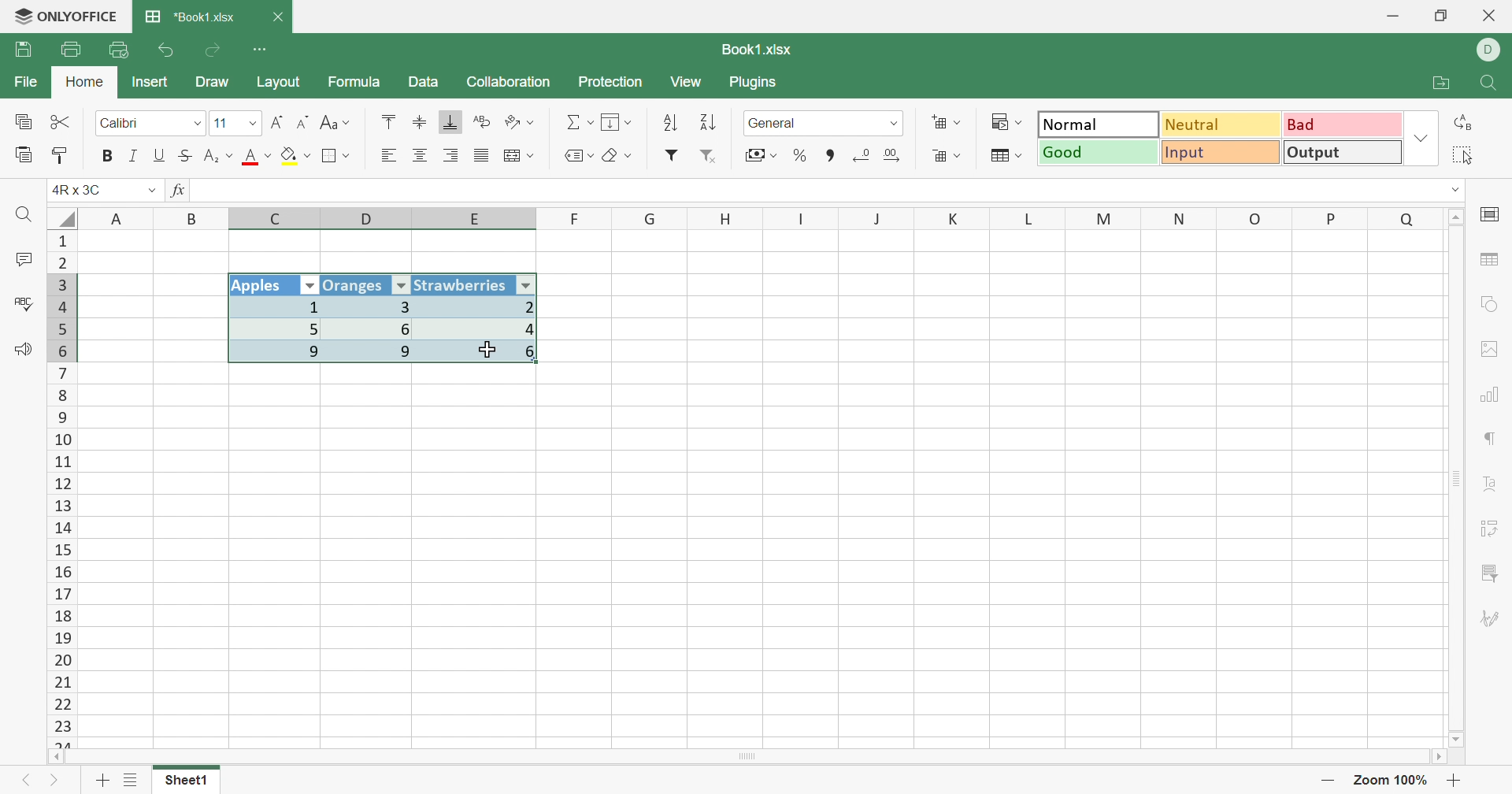  I want to click on Italic, so click(132, 156).